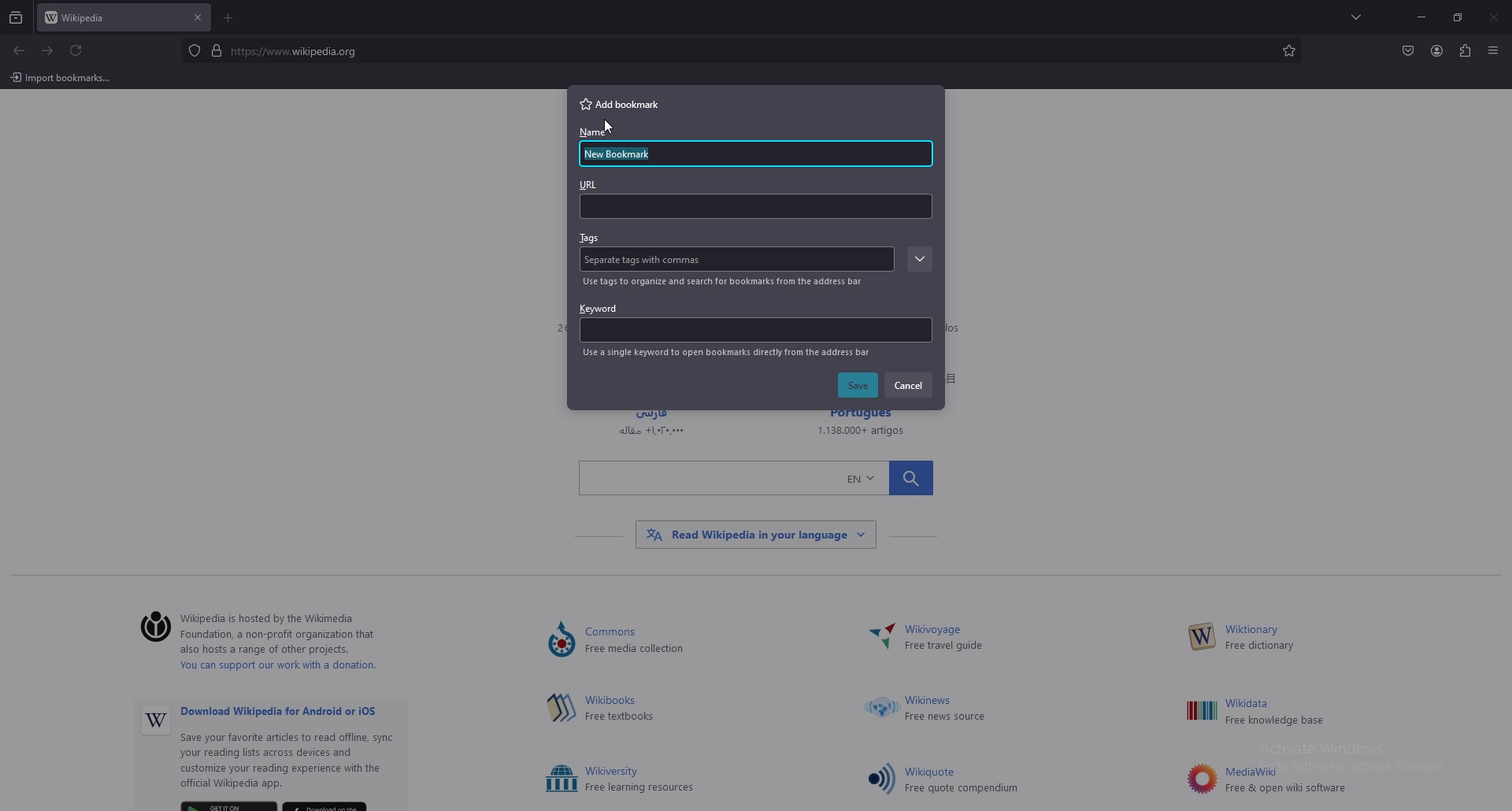 Image resolution: width=1512 pixels, height=811 pixels. What do you see at coordinates (560, 707) in the screenshot?
I see `` at bounding box center [560, 707].